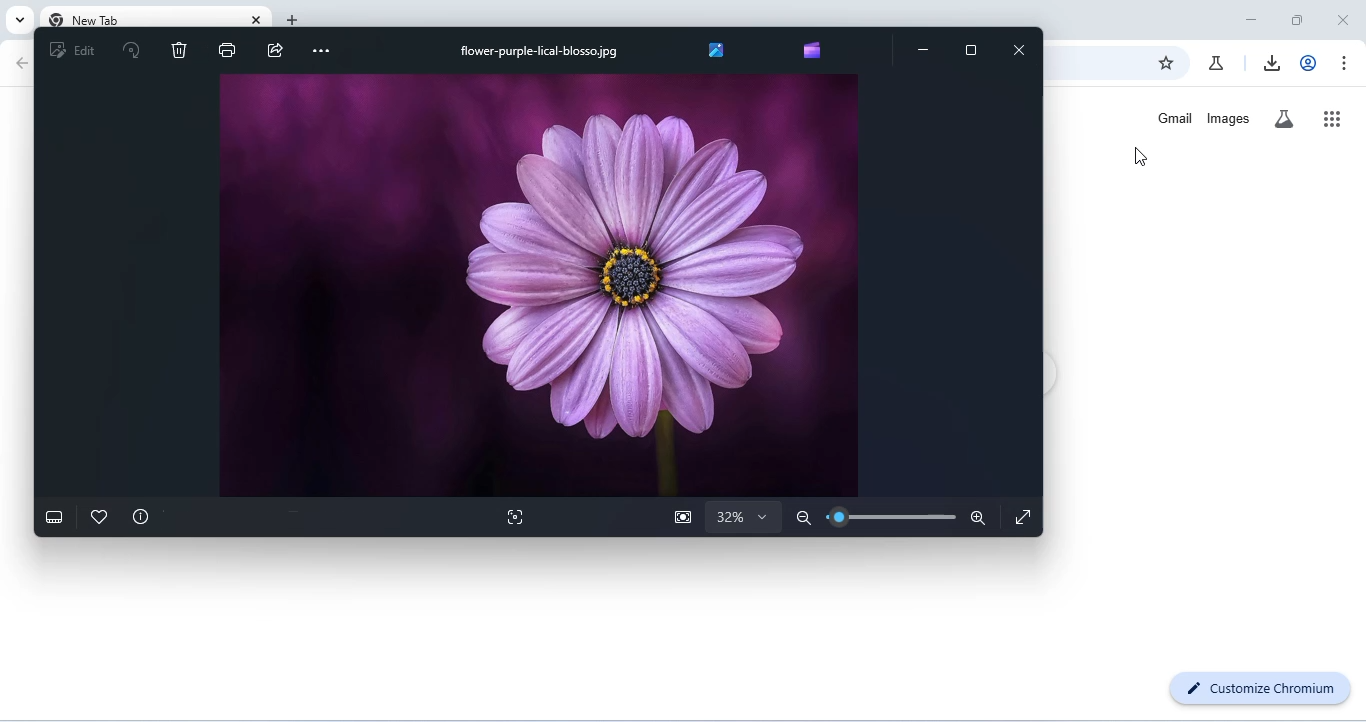 The width and height of the screenshot is (1366, 722). Describe the element at coordinates (72, 50) in the screenshot. I see `edit` at that location.